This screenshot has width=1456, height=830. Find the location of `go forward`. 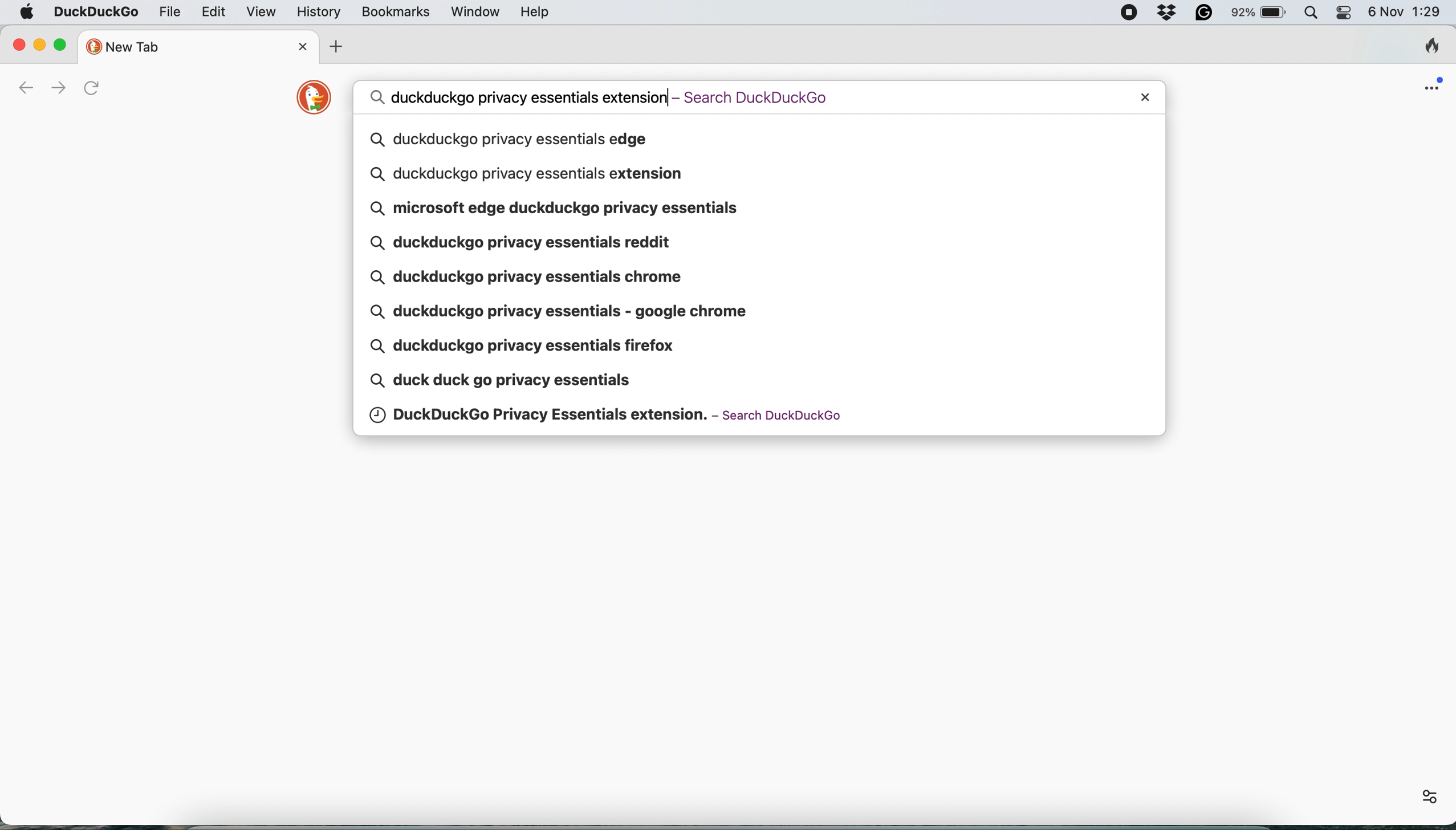

go forward is located at coordinates (58, 88).